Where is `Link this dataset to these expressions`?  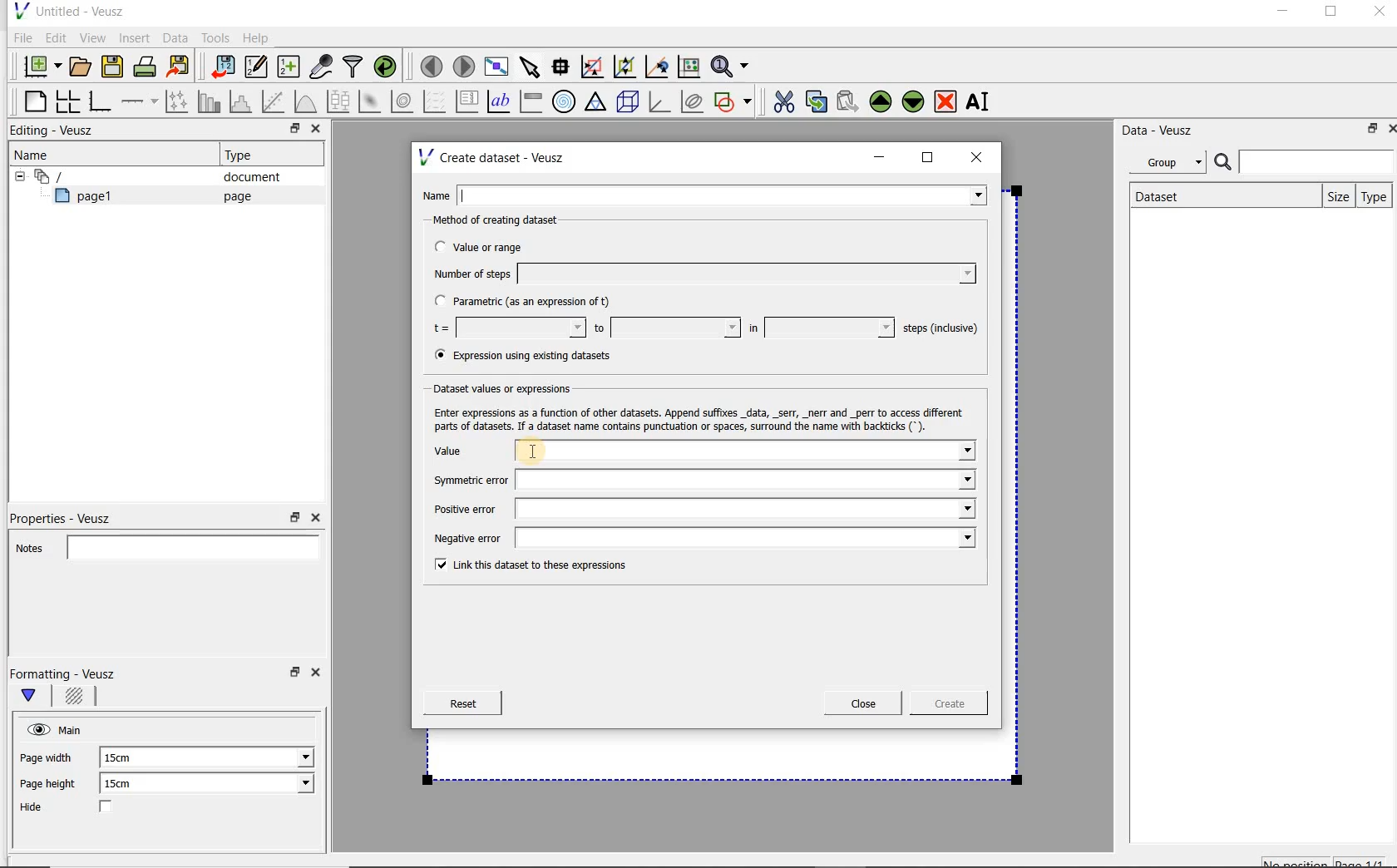
Link this dataset to these expressions is located at coordinates (526, 566).